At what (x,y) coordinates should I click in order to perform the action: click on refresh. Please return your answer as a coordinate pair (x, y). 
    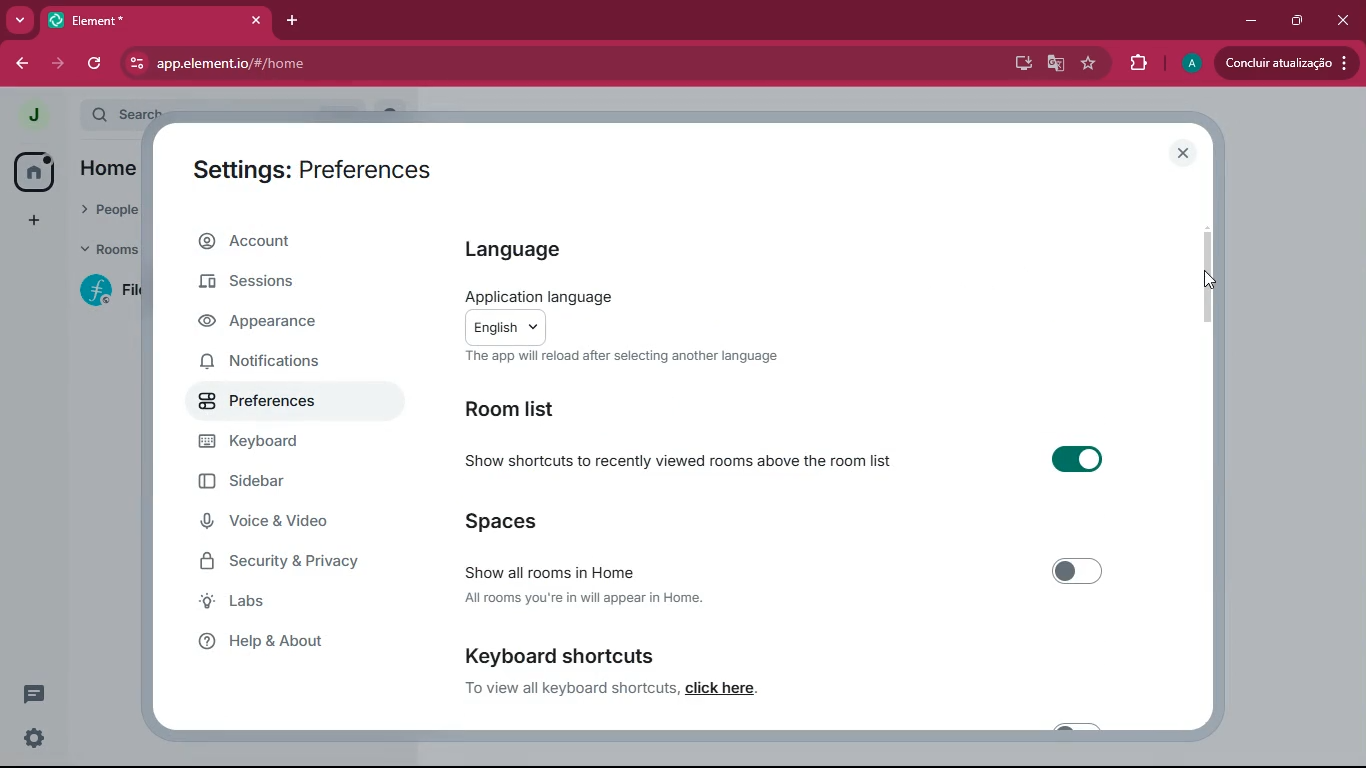
    Looking at the image, I should click on (96, 65).